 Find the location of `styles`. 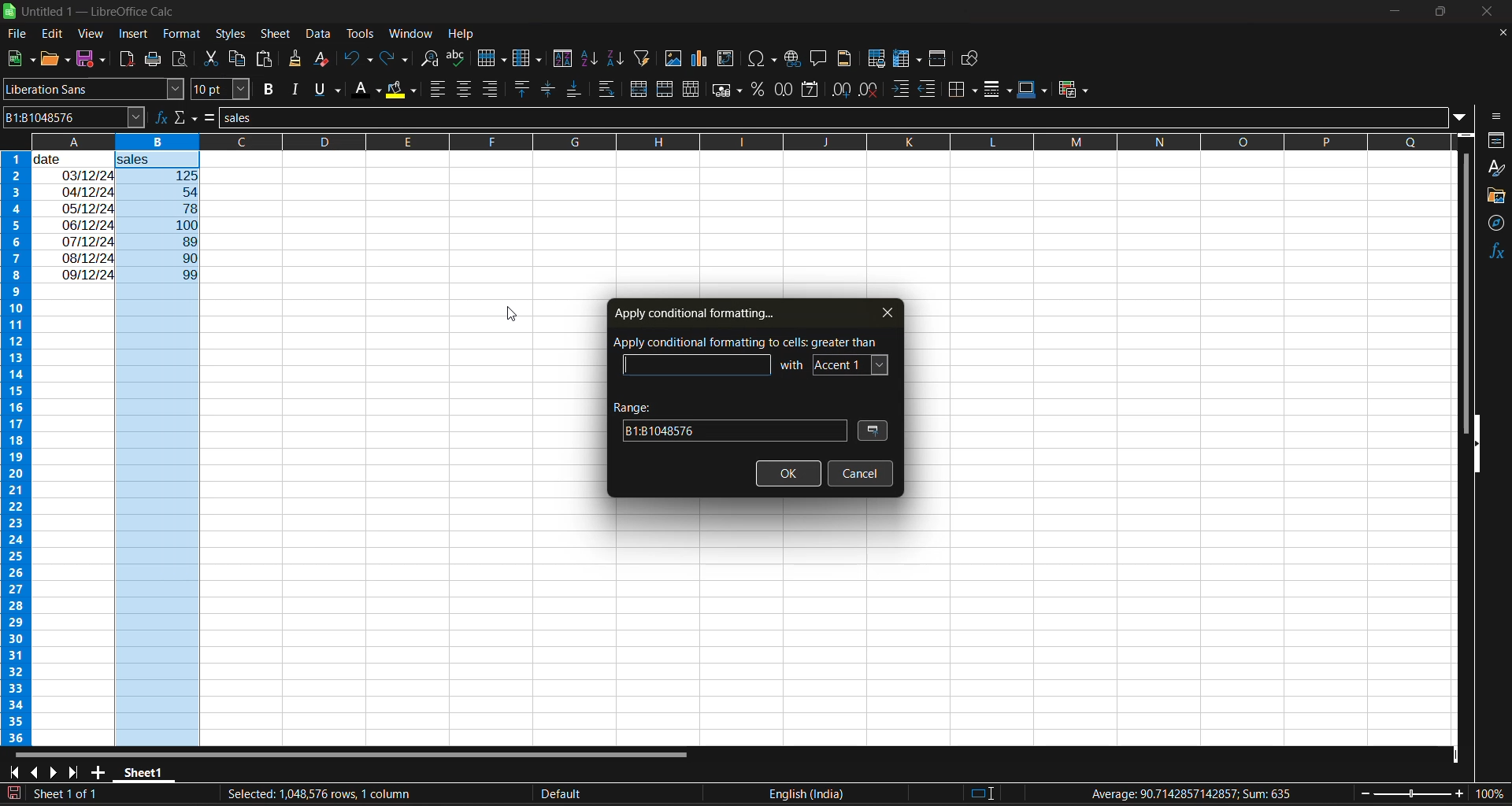

styles is located at coordinates (232, 33).